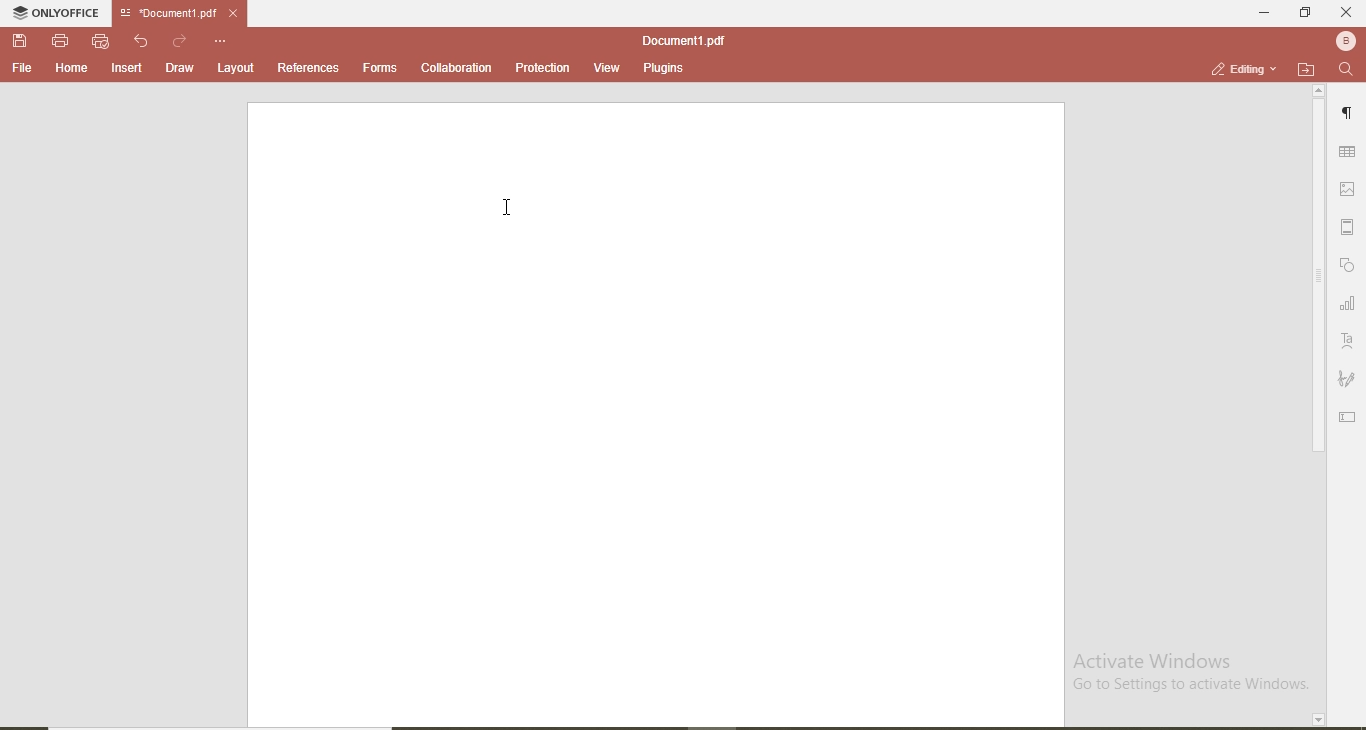  What do you see at coordinates (1349, 112) in the screenshot?
I see `paragraph` at bounding box center [1349, 112].